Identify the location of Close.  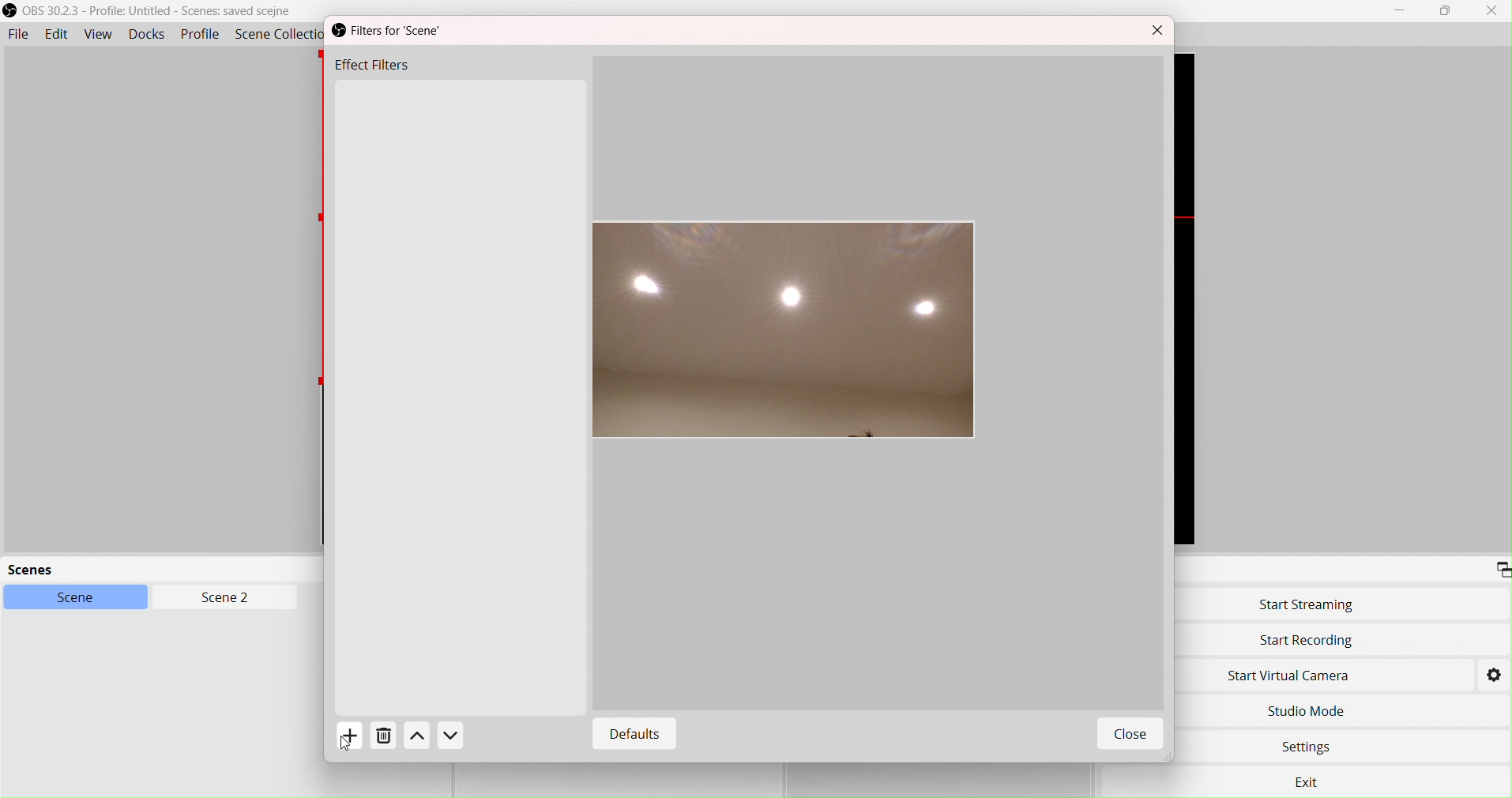
(1161, 31).